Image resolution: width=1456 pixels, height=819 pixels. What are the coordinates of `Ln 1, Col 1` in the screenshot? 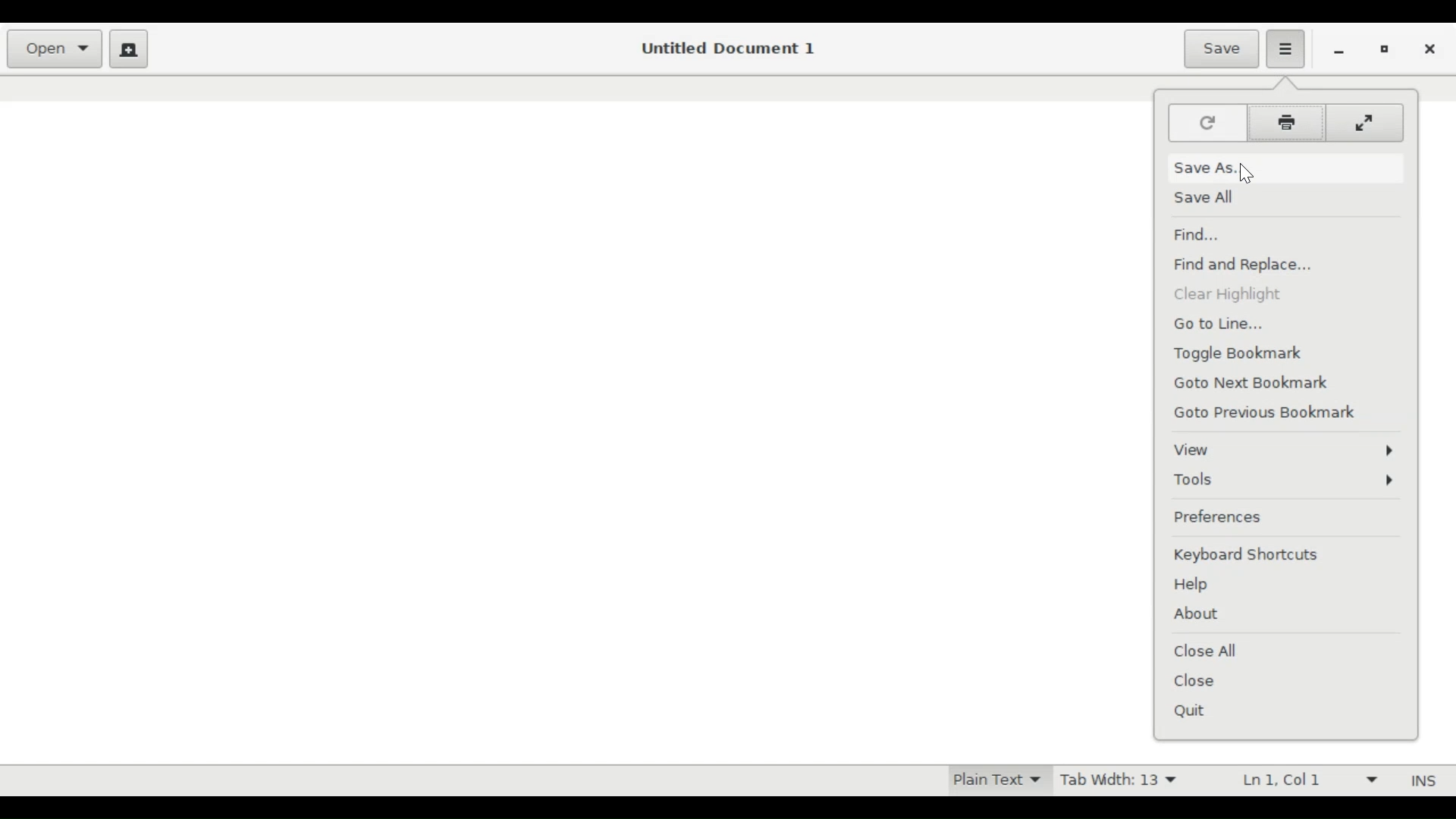 It's located at (1305, 781).